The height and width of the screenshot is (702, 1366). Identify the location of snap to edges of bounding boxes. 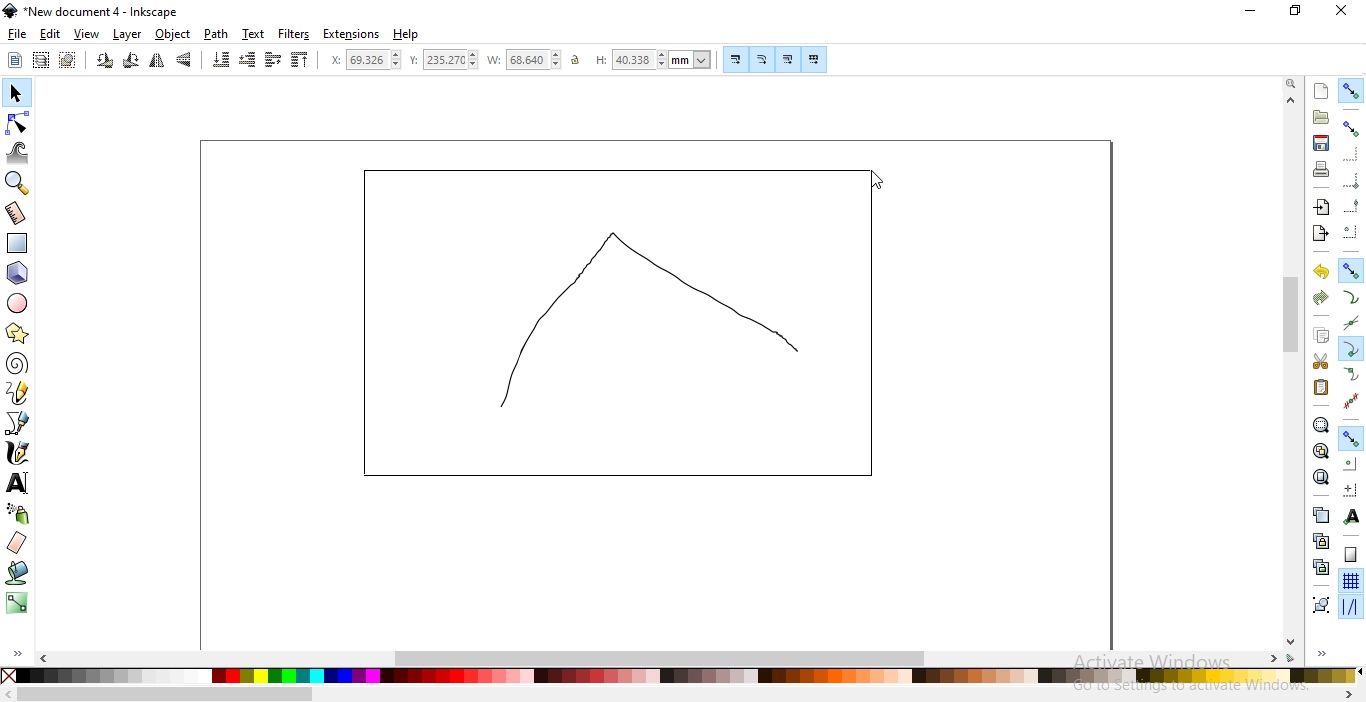
(1349, 155).